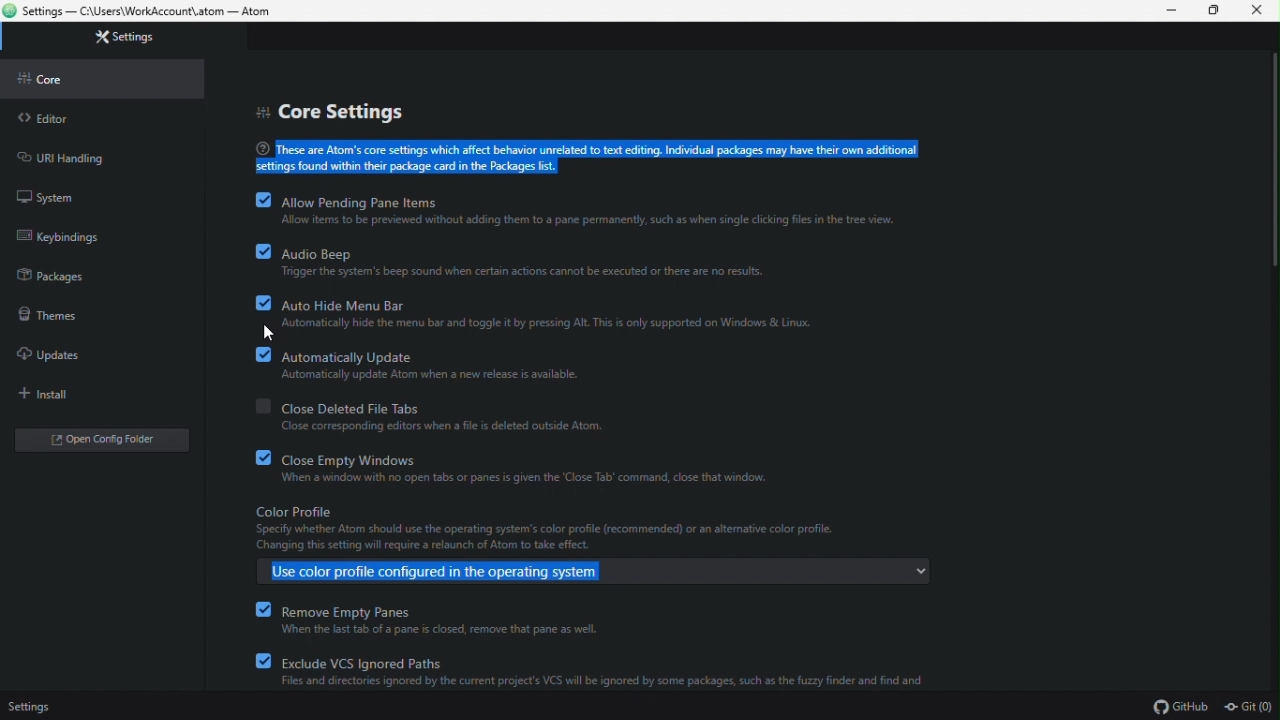  Describe the element at coordinates (54, 278) in the screenshot. I see `packages` at that location.